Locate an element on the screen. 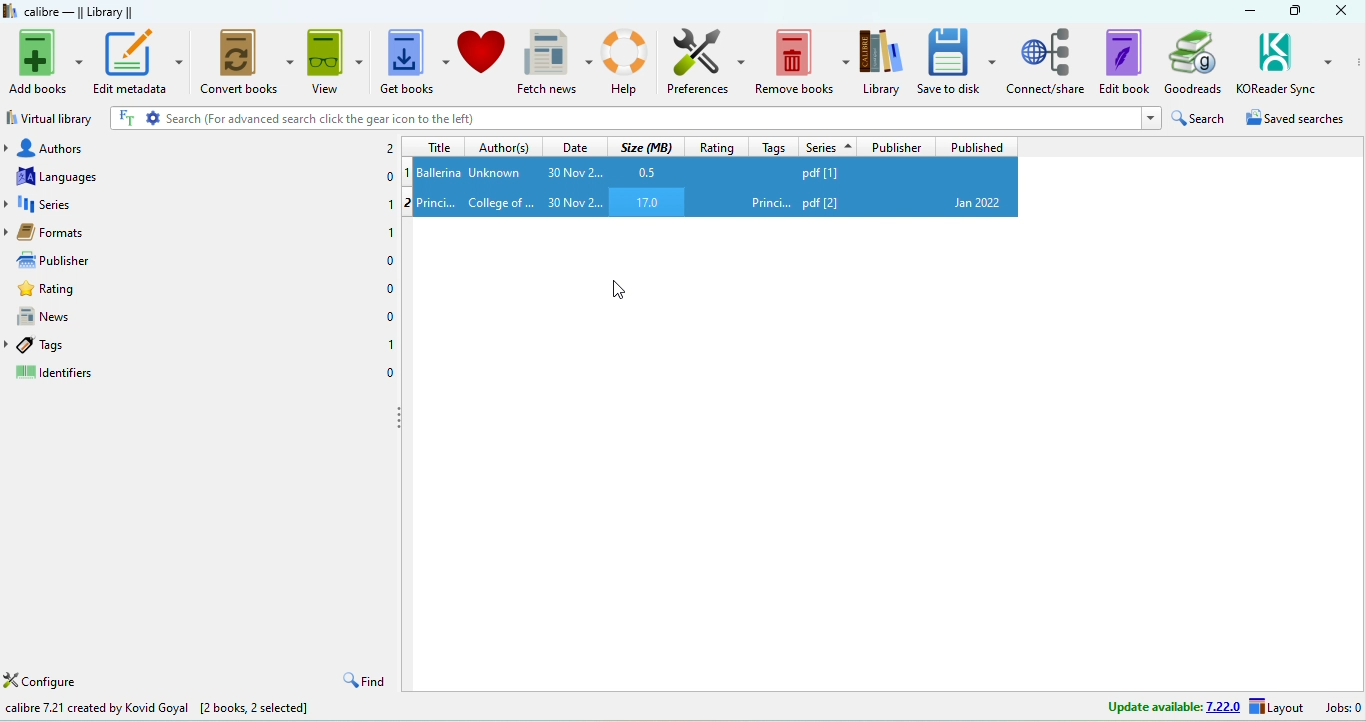  View is located at coordinates (338, 59).